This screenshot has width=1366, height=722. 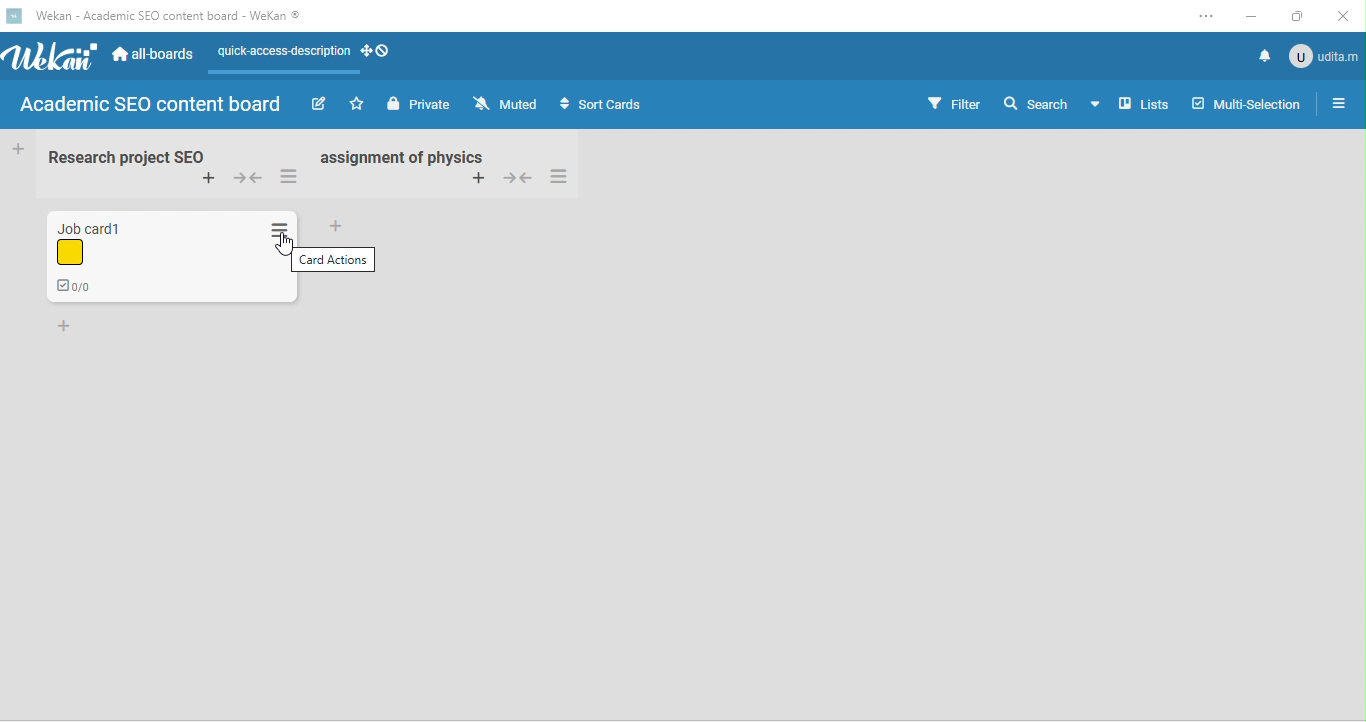 I want to click on admin, so click(x=1325, y=55).